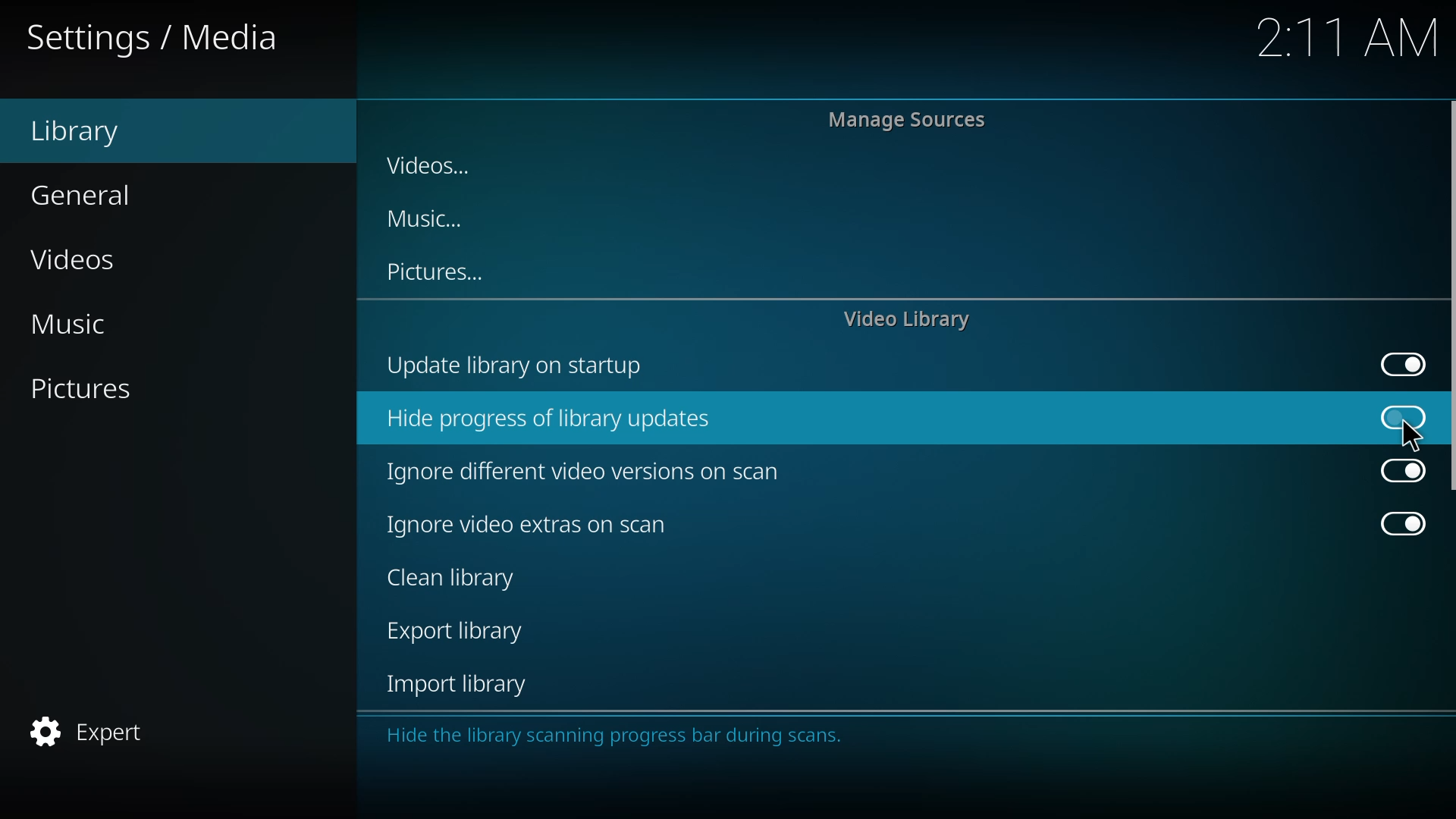  What do you see at coordinates (529, 525) in the screenshot?
I see `ignore video extras on scan` at bounding box center [529, 525].